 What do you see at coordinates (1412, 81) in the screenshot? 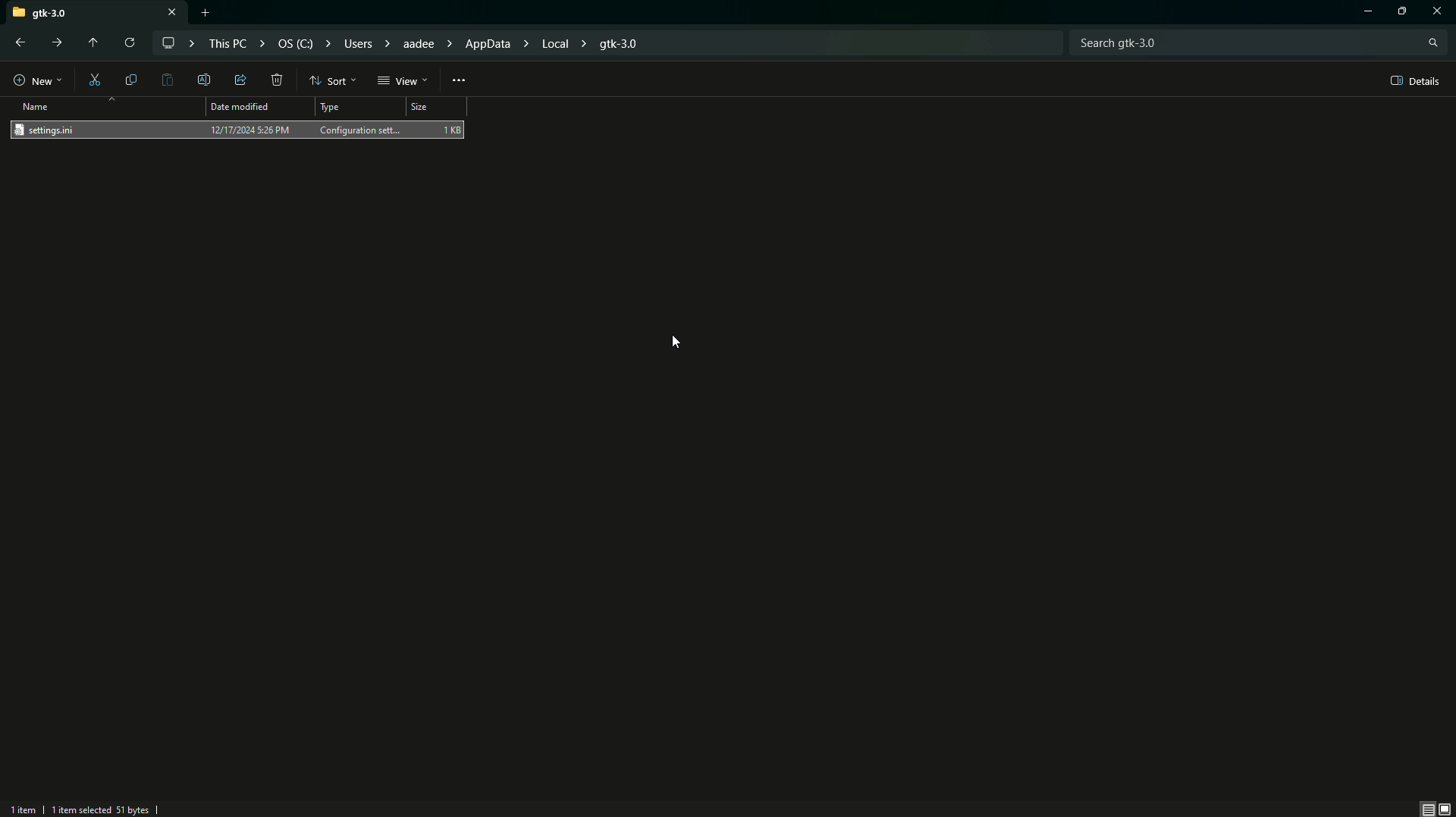
I see `Details` at bounding box center [1412, 81].